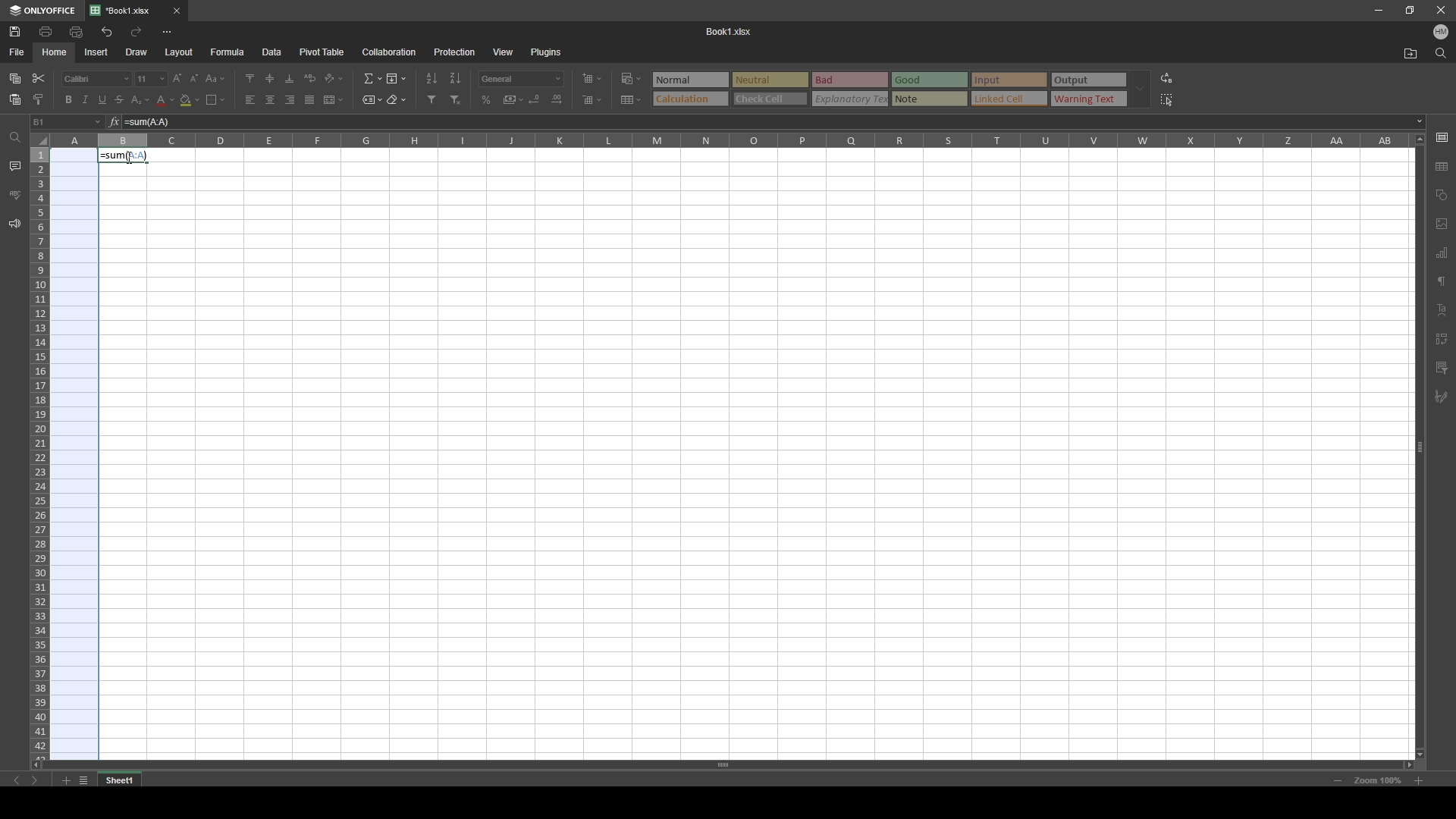  I want to click on Input, so click(1011, 80).